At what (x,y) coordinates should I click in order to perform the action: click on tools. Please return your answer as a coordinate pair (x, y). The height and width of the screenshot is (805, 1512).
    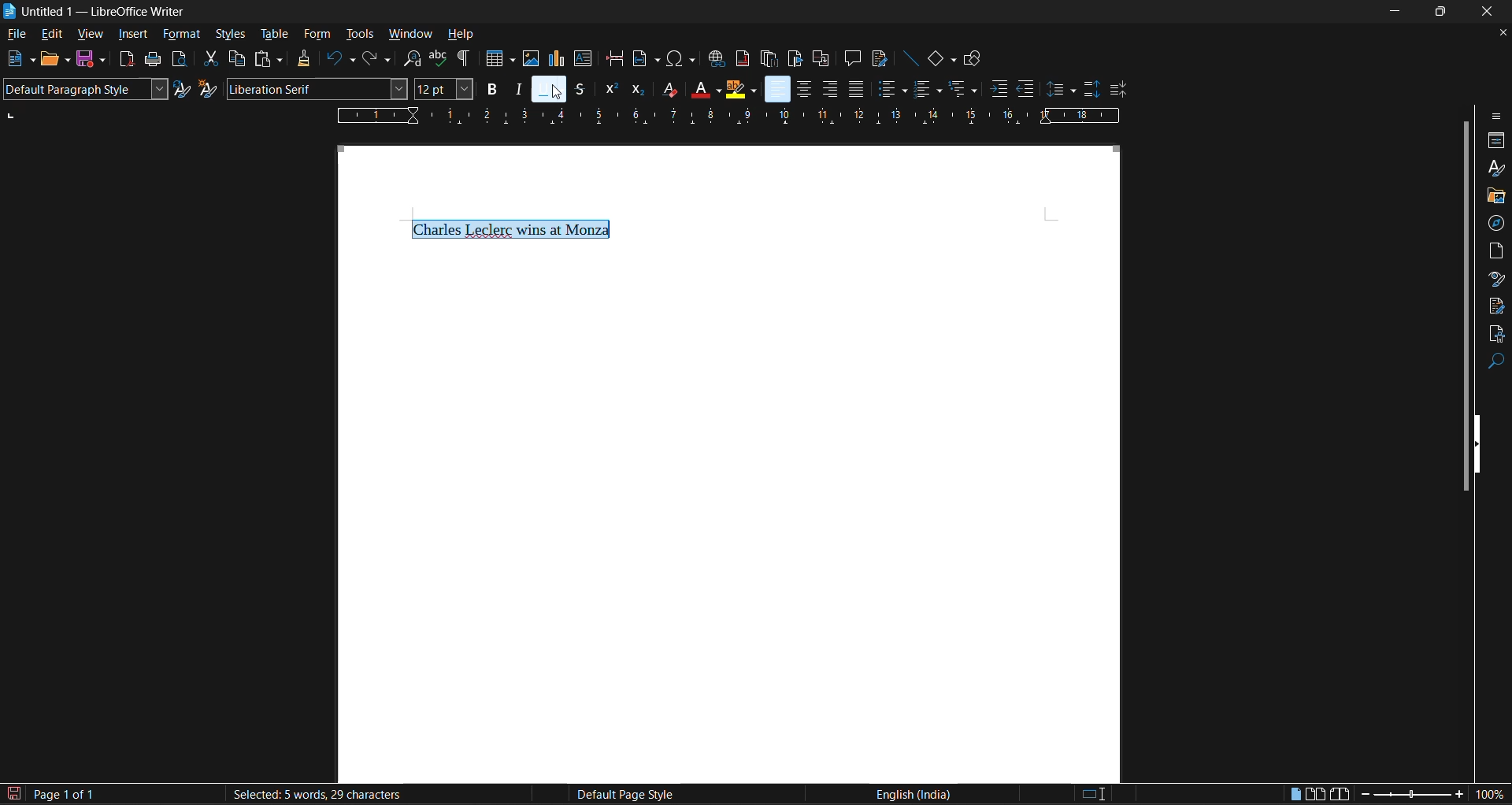
    Looking at the image, I should click on (358, 35).